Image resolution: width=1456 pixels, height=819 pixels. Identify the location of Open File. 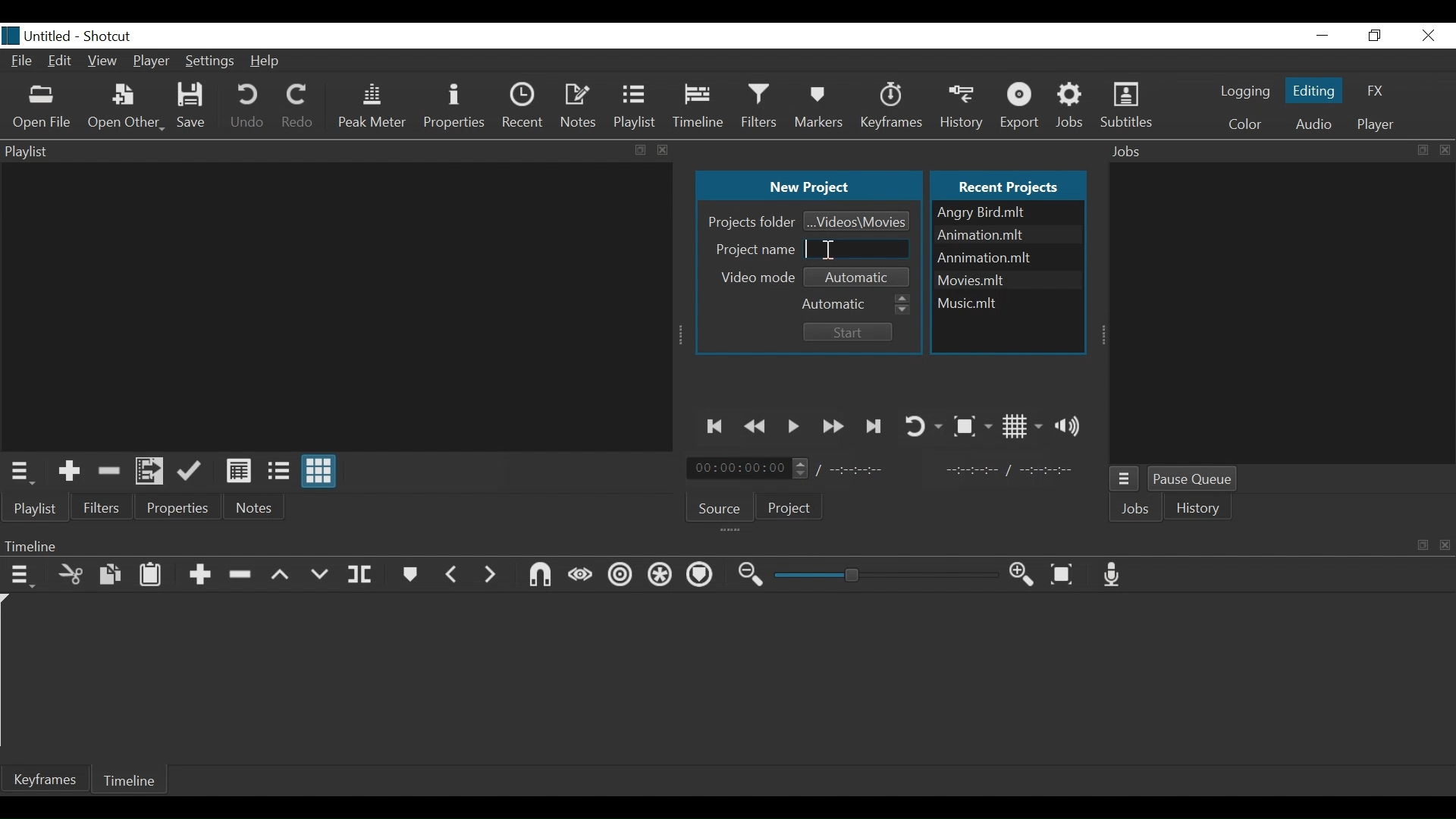
(42, 107).